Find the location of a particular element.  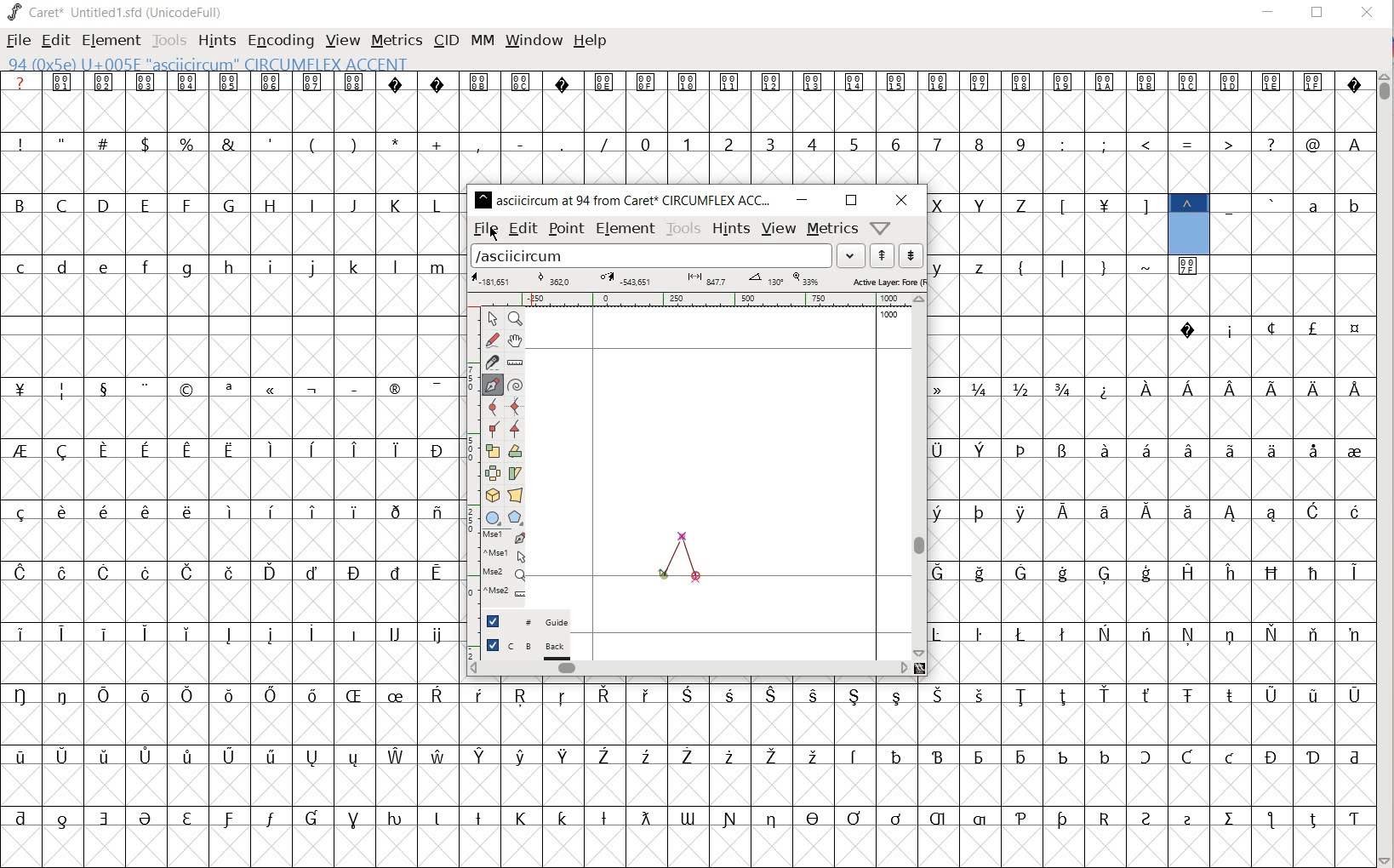

point is located at coordinates (566, 227).